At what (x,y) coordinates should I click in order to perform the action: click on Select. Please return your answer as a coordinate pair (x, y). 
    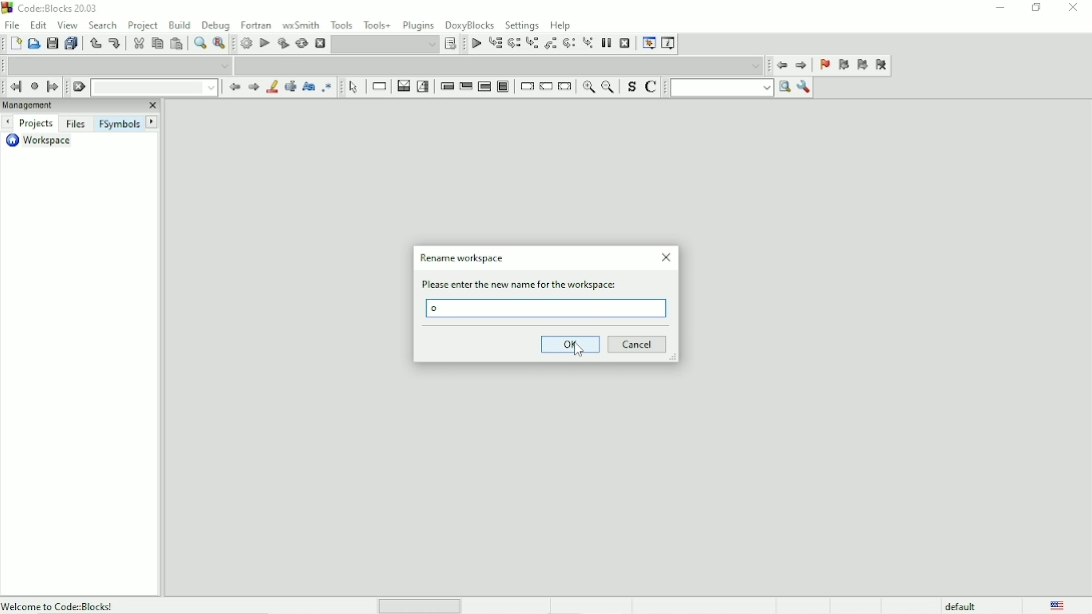
    Looking at the image, I should click on (354, 87).